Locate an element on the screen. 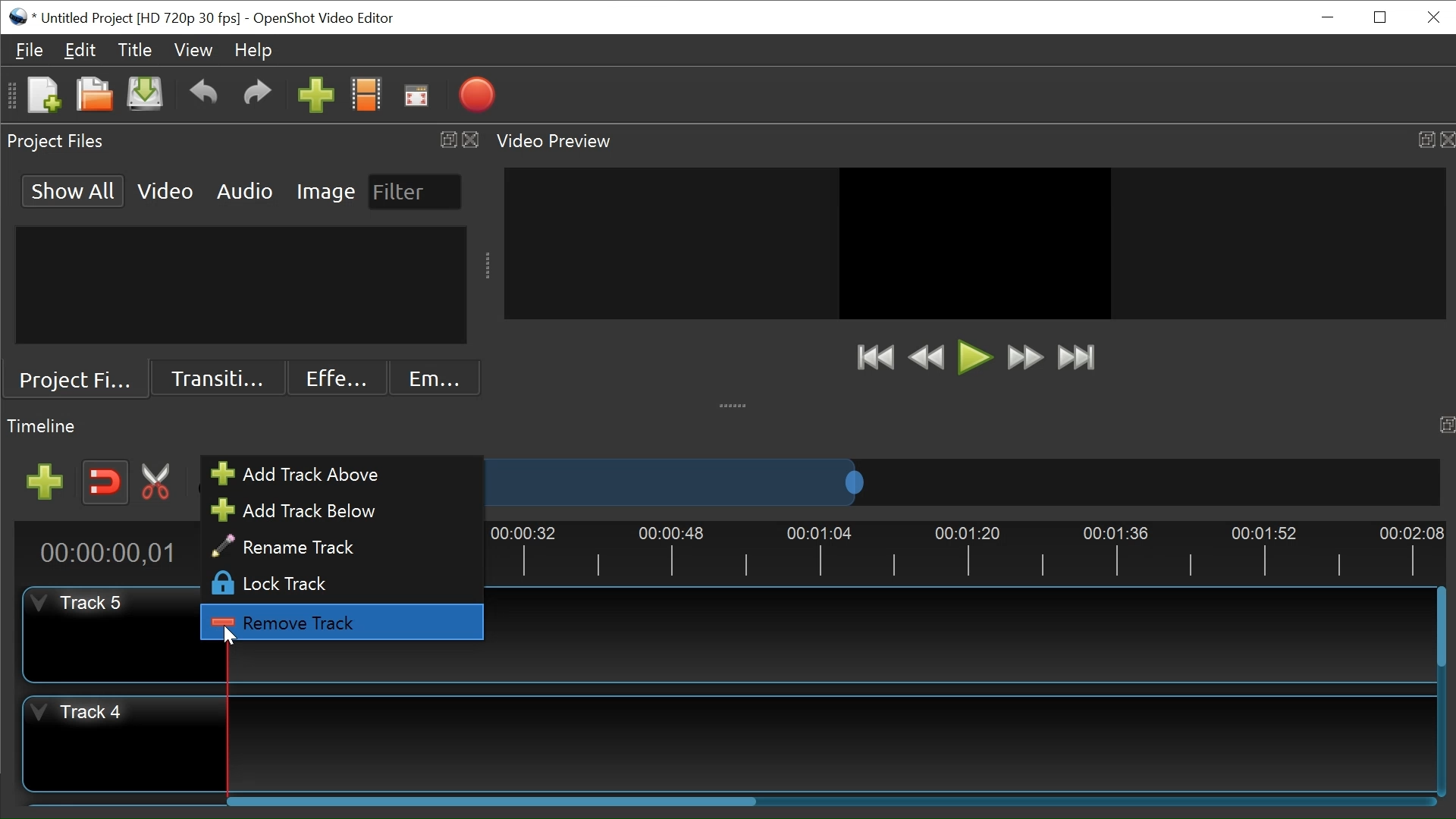  Undo is located at coordinates (202, 96).